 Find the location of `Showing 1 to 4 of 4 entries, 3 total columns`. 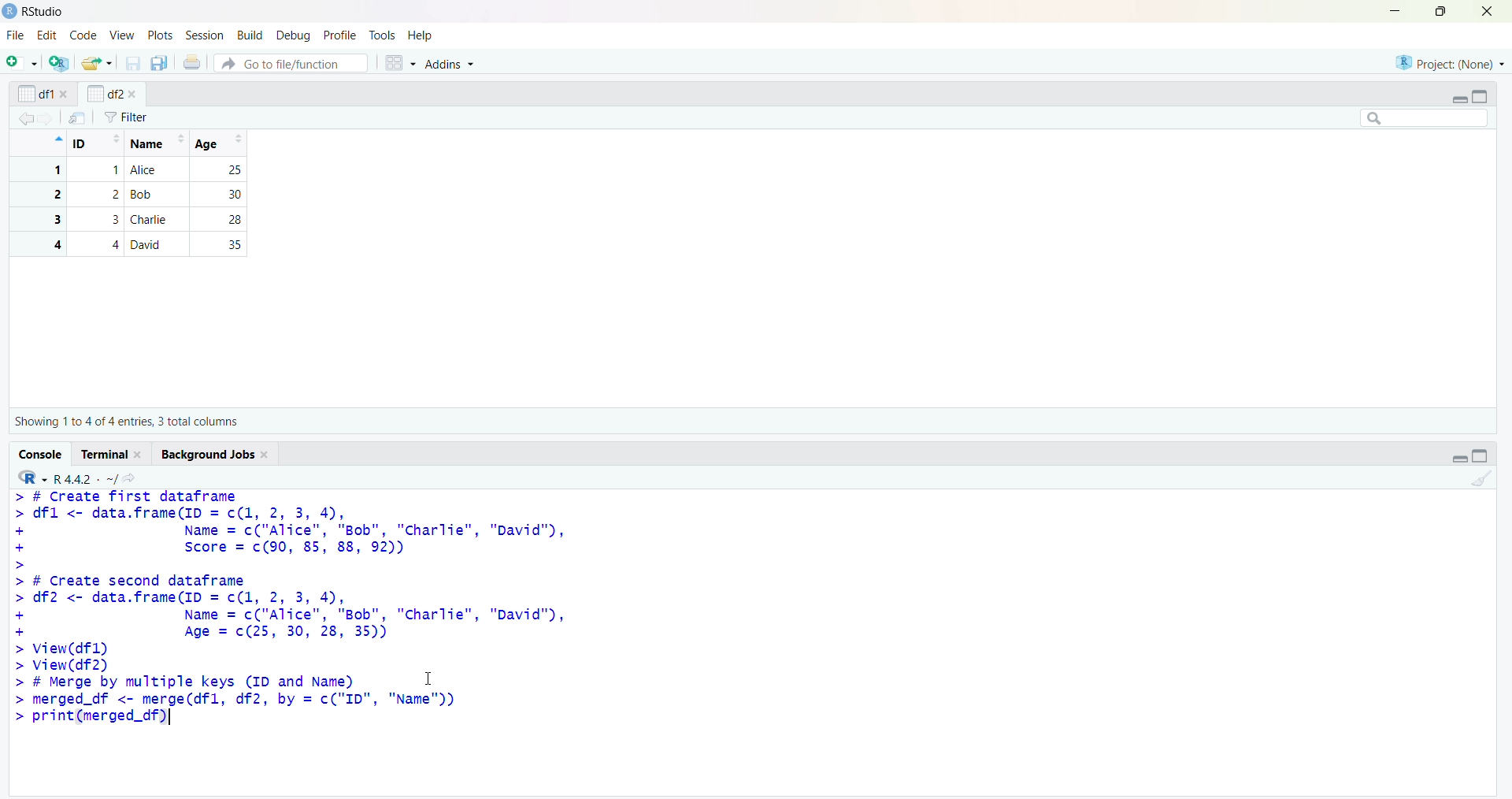

Showing 1 to 4 of 4 entries, 3 total columns is located at coordinates (126, 422).